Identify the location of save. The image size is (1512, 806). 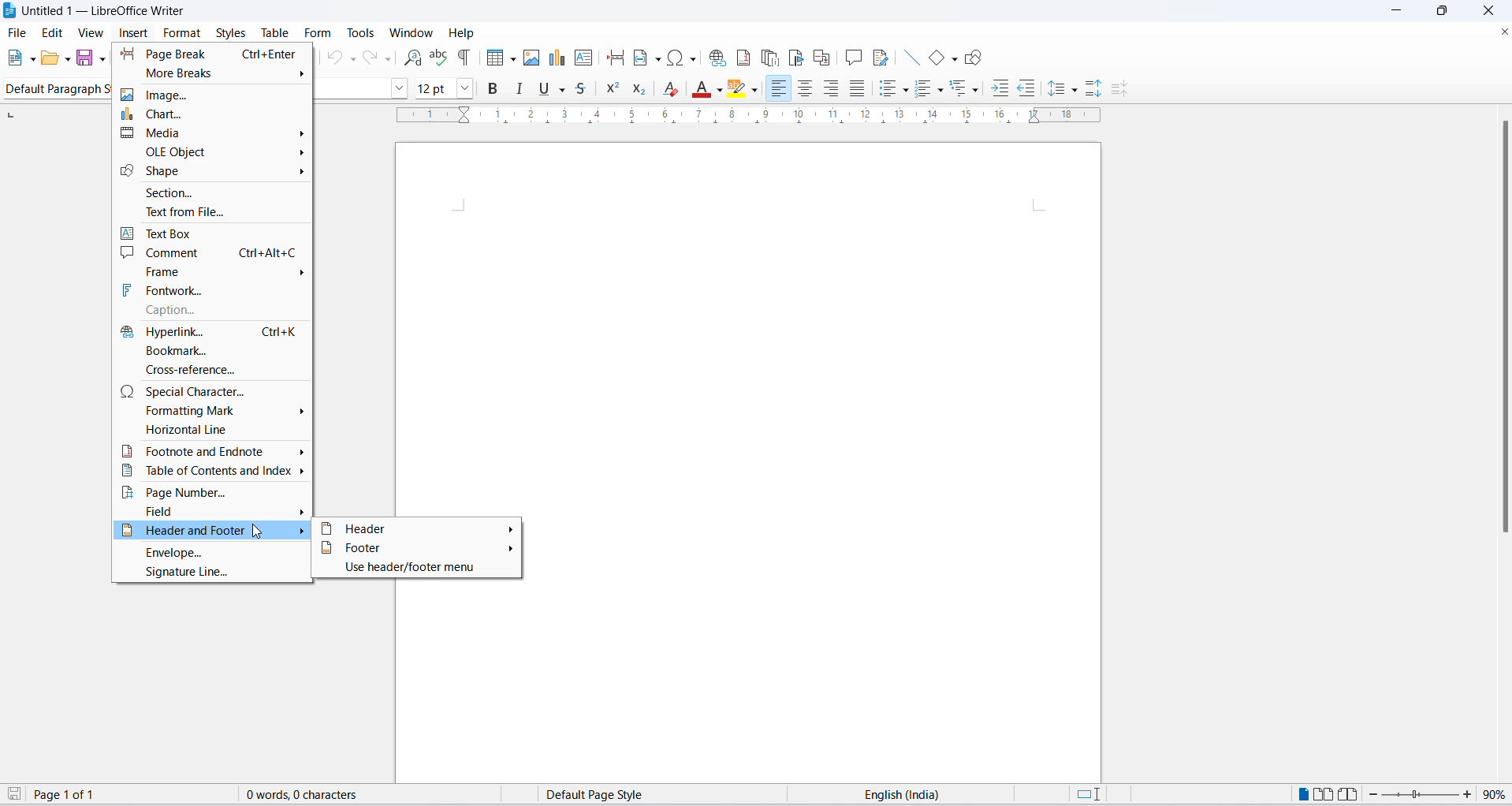
(86, 58).